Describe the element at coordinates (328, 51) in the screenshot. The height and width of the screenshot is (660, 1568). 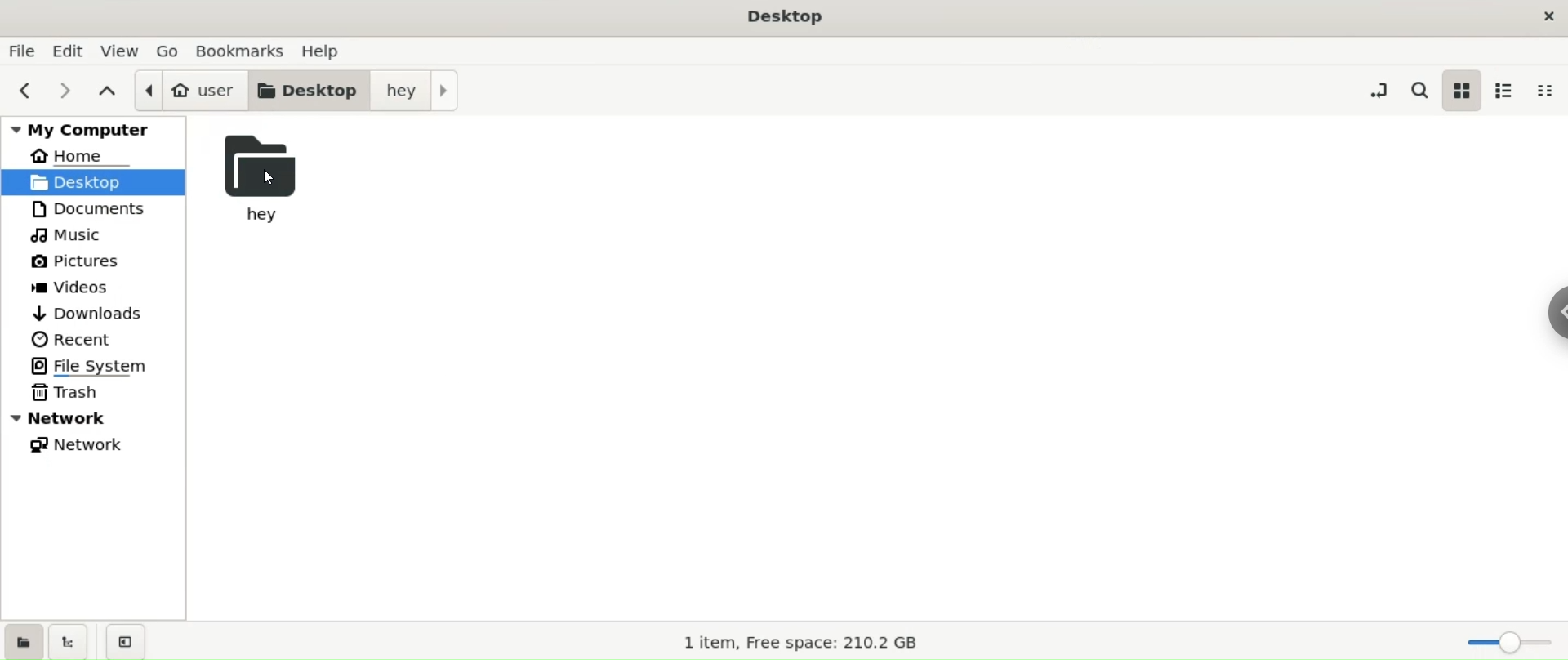
I see `help` at that location.